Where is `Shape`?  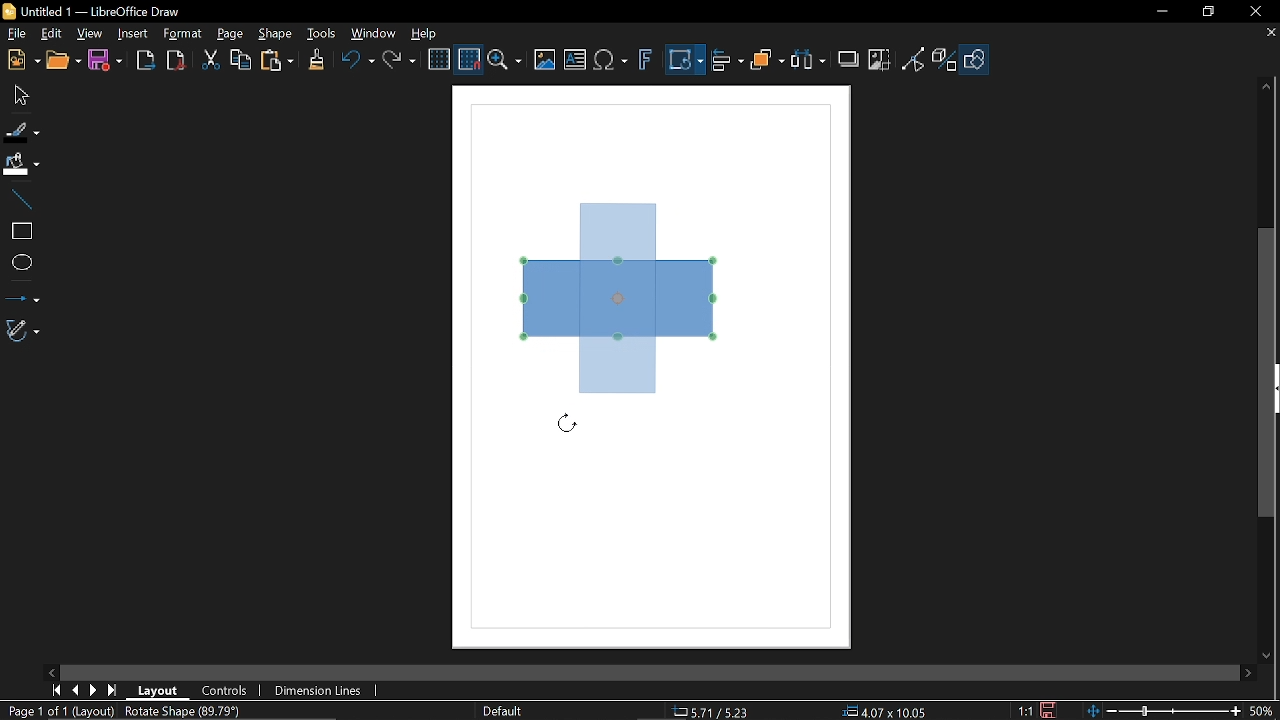 Shape is located at coordinates (278, 35).